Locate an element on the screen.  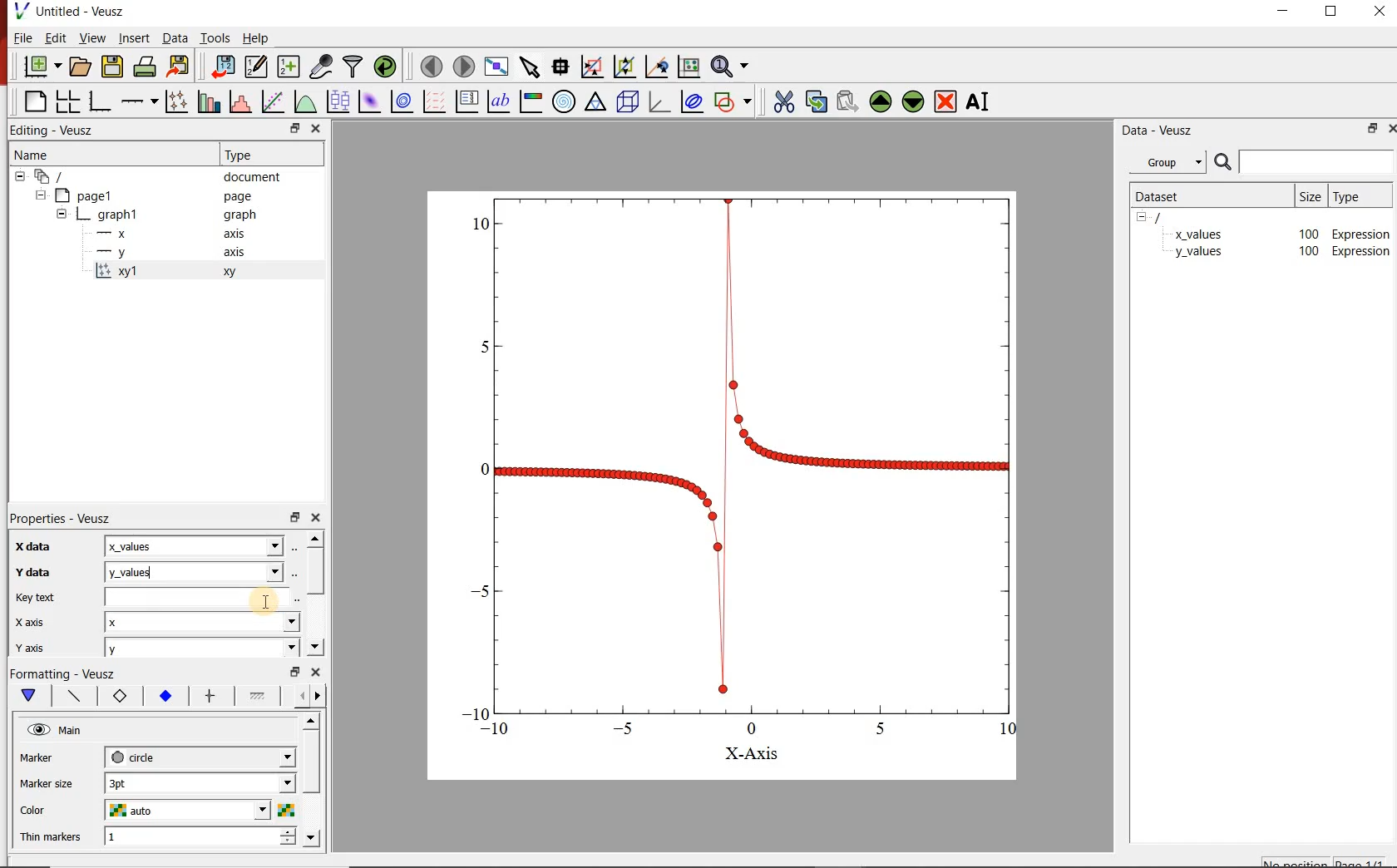
arrange graphs in a grid is located at coordinates (67, 102).